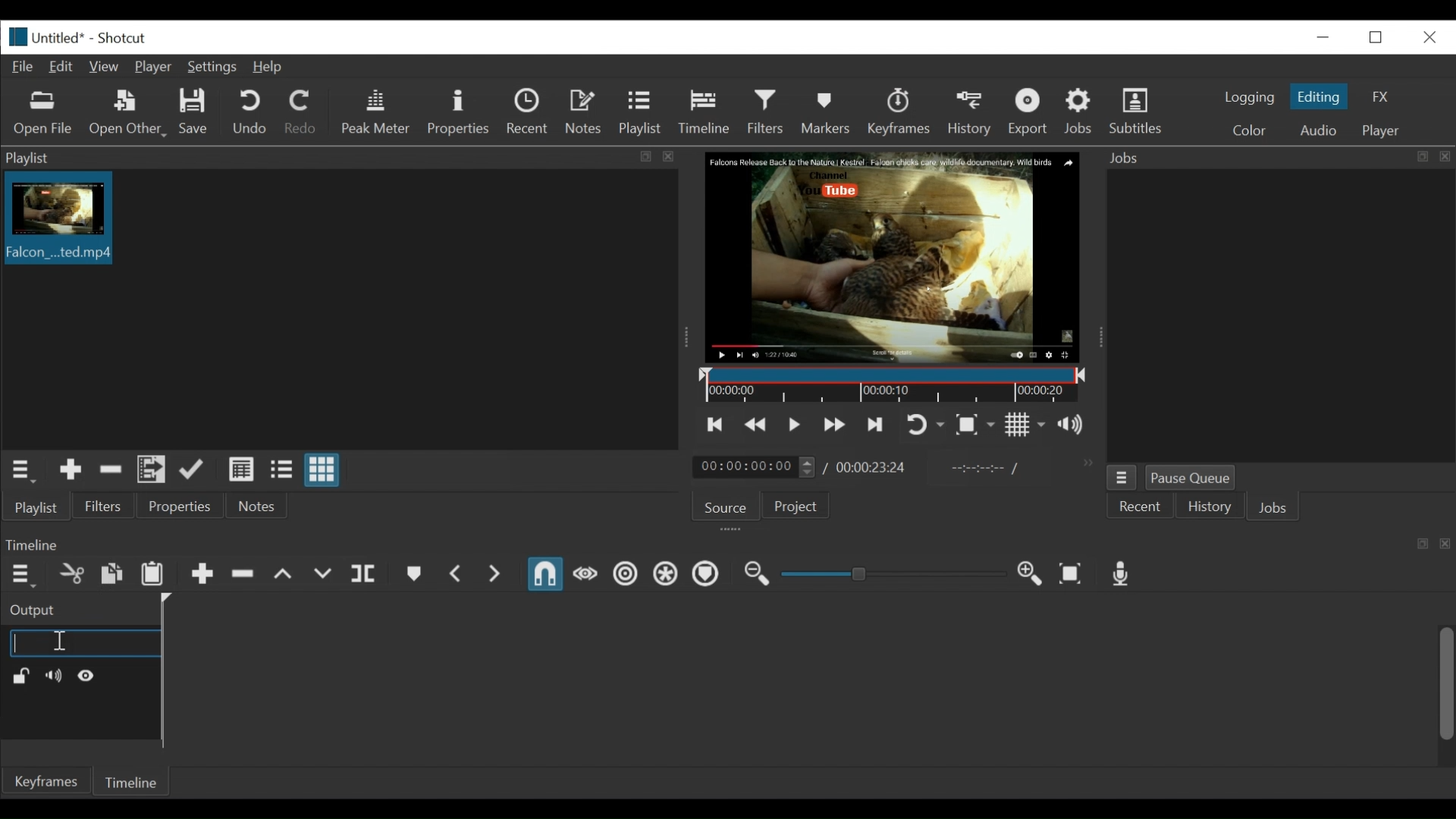 This screenshot has height=819, width=1456. What do you see at coordinates (108, 507) in the screenshot?
I see `Filters` at bounding box center [108, 507].